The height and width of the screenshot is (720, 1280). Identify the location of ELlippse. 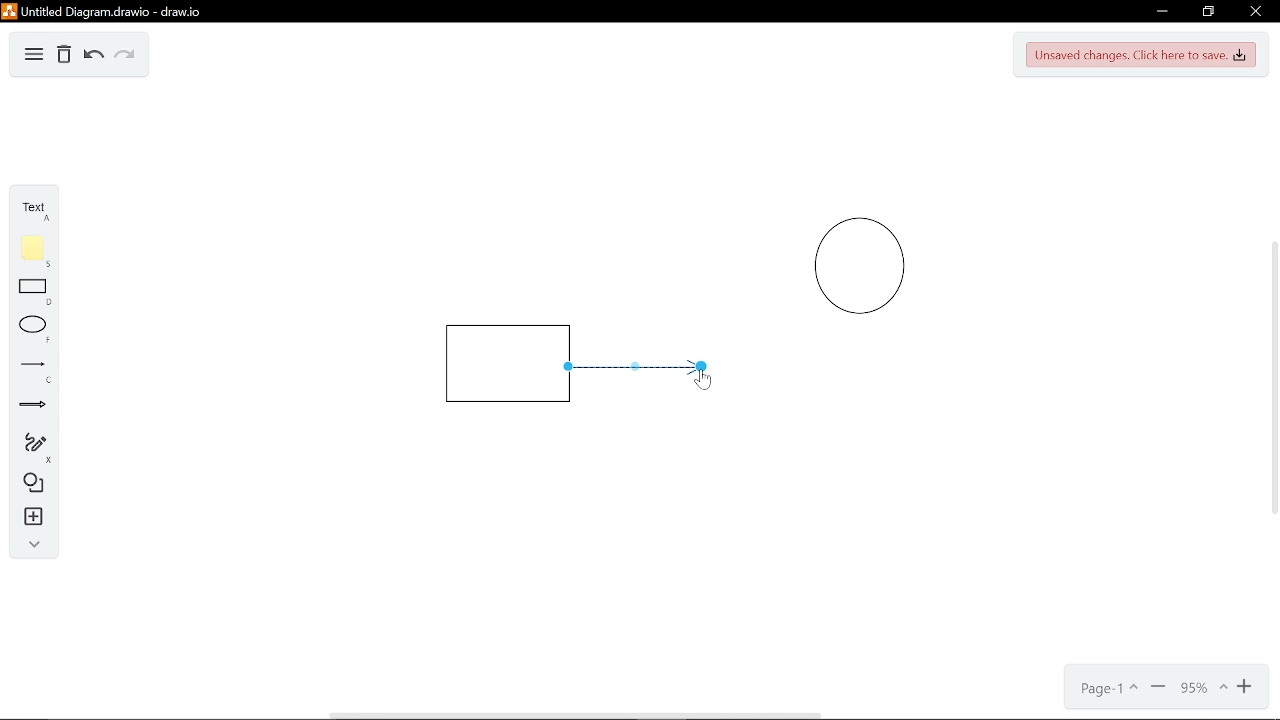
(31, 327).